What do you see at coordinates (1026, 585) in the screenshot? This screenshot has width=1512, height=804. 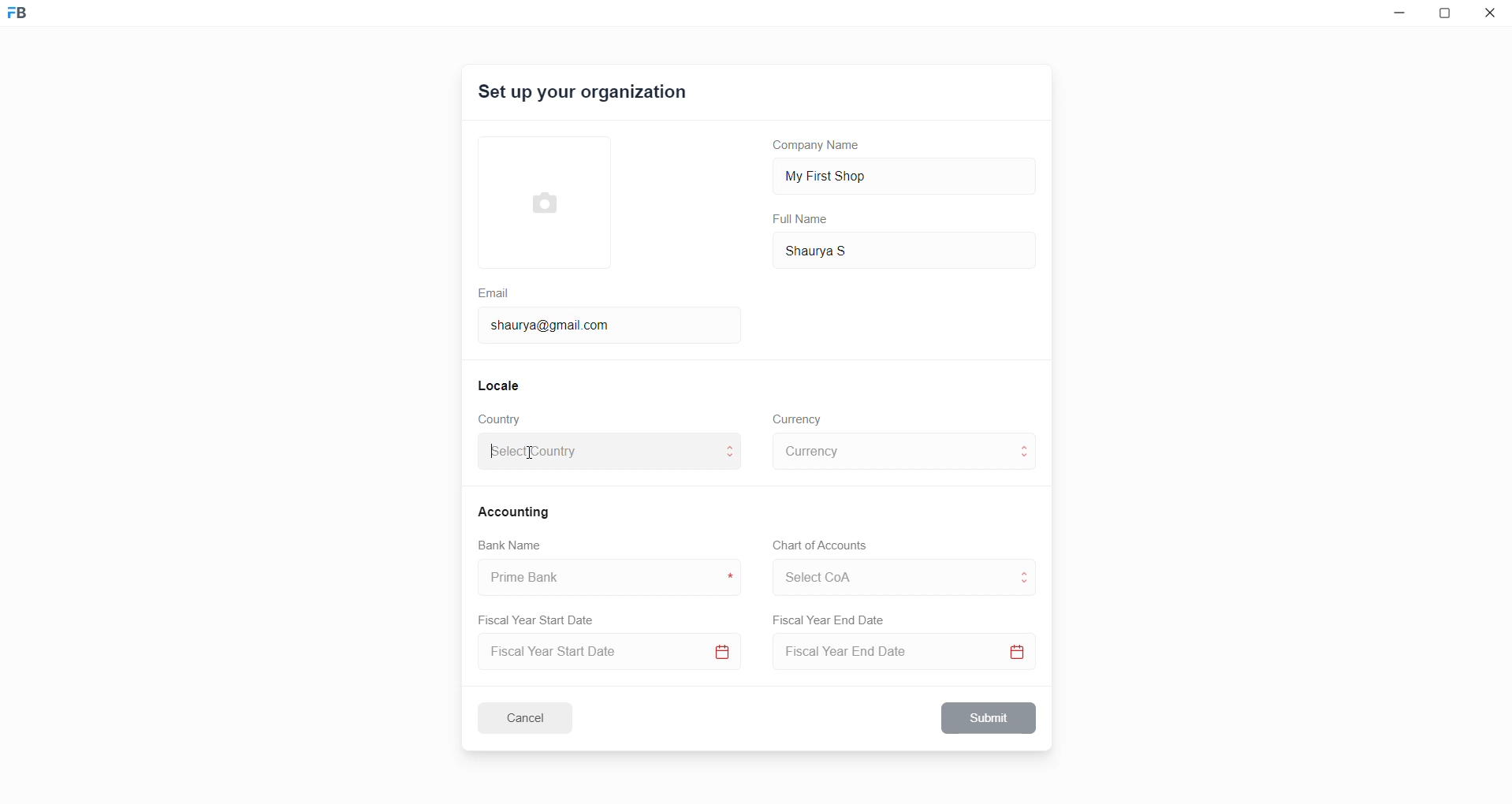 I see `move to below CoA` at bounding box center [1026, 585].